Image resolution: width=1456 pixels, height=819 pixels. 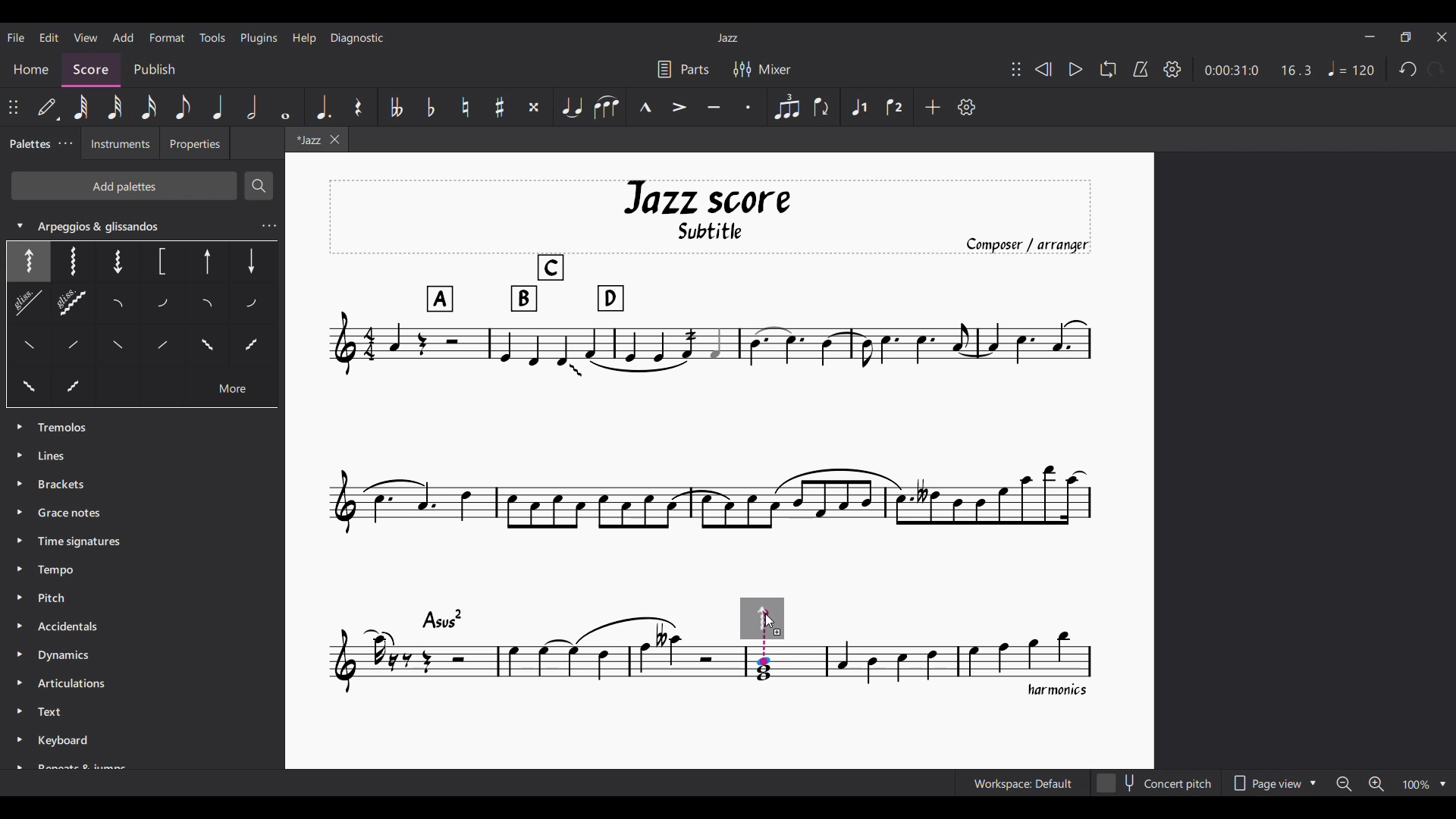 What do you see at coordinates (466, 107) in the screenshot?
I see `Toggle natural` at bounding box center [466, 107].